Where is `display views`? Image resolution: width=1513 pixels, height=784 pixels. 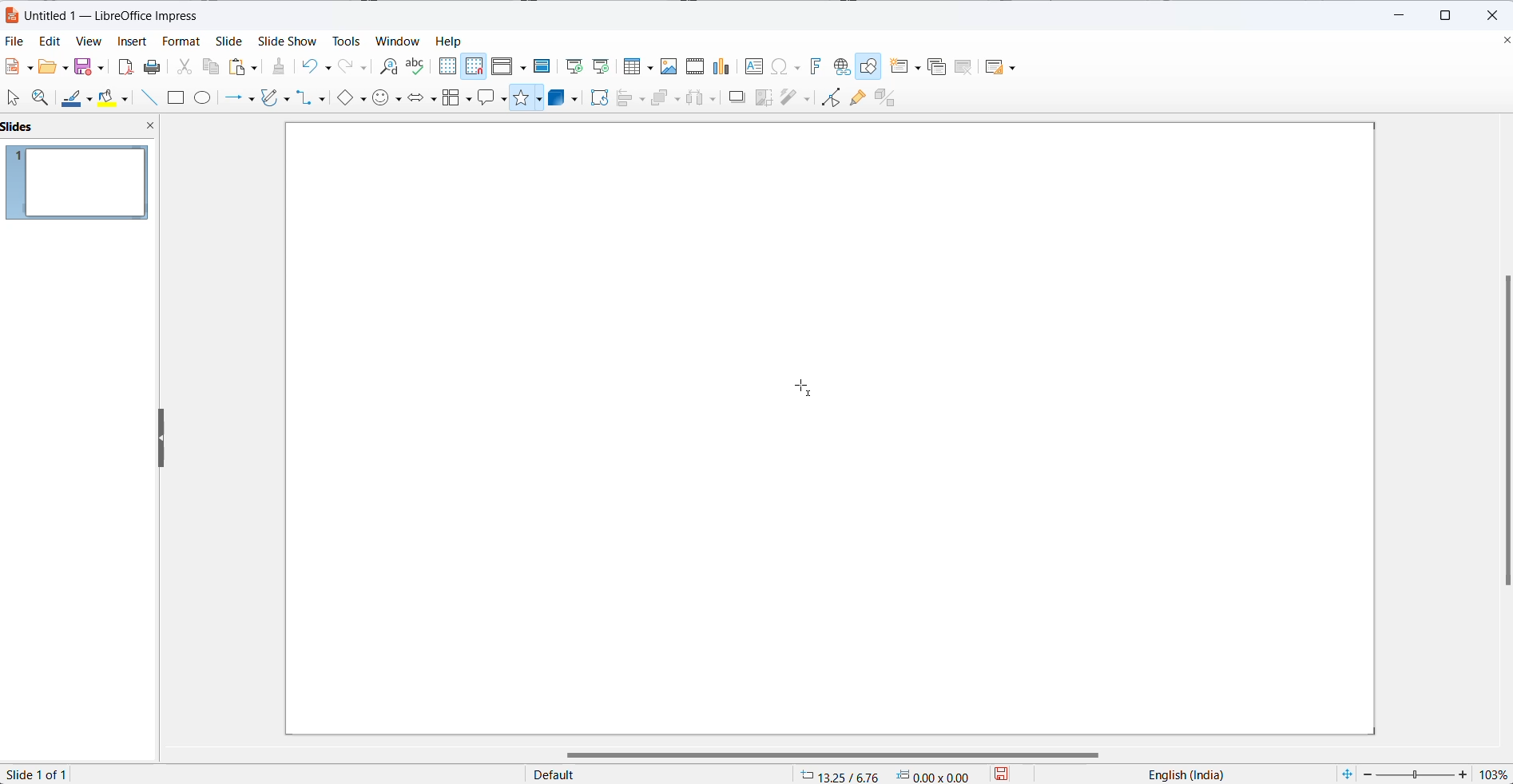
display views is located at coordinates (510, 65).